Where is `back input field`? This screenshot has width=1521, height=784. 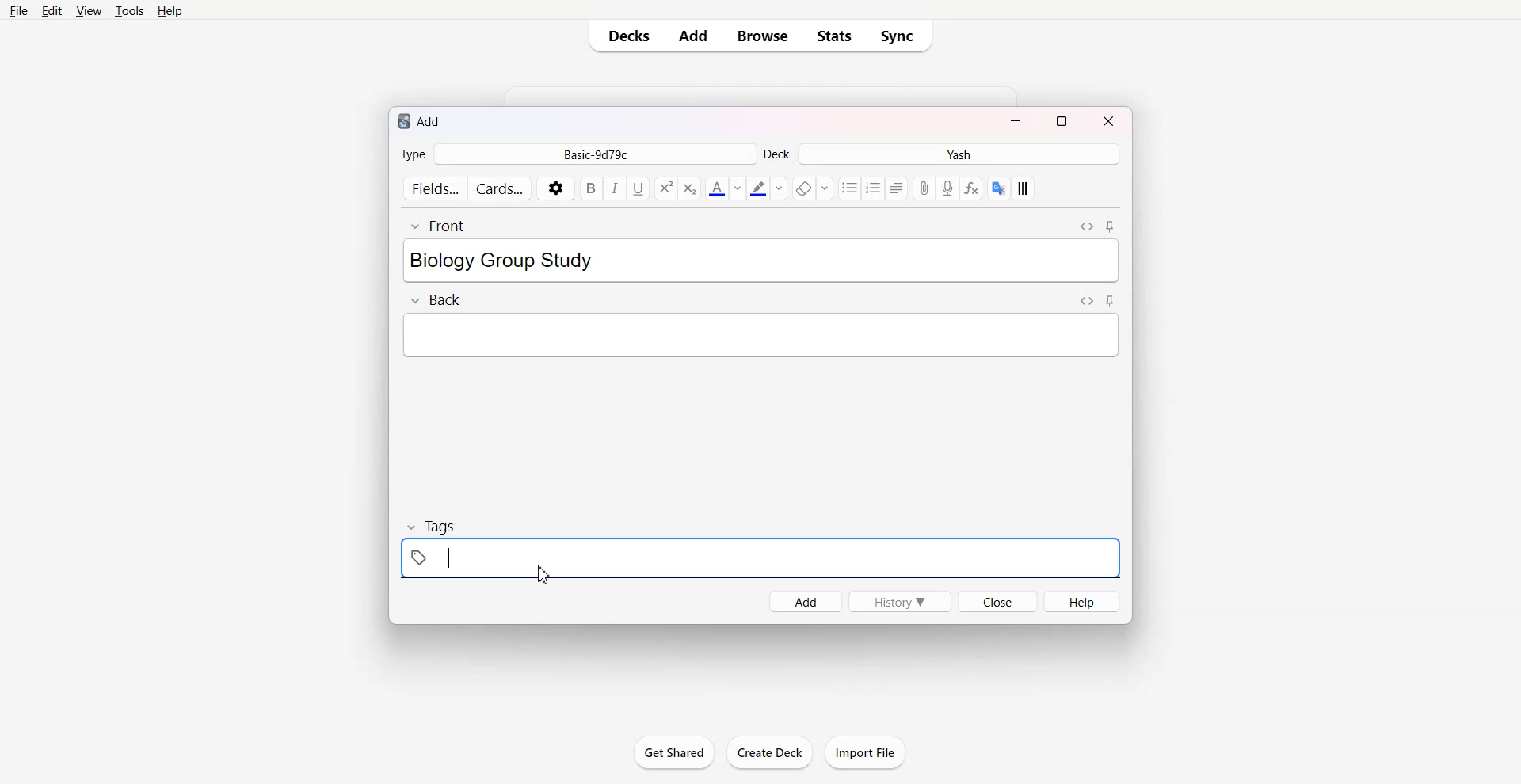
back input field is located at coordinates (760, 335).